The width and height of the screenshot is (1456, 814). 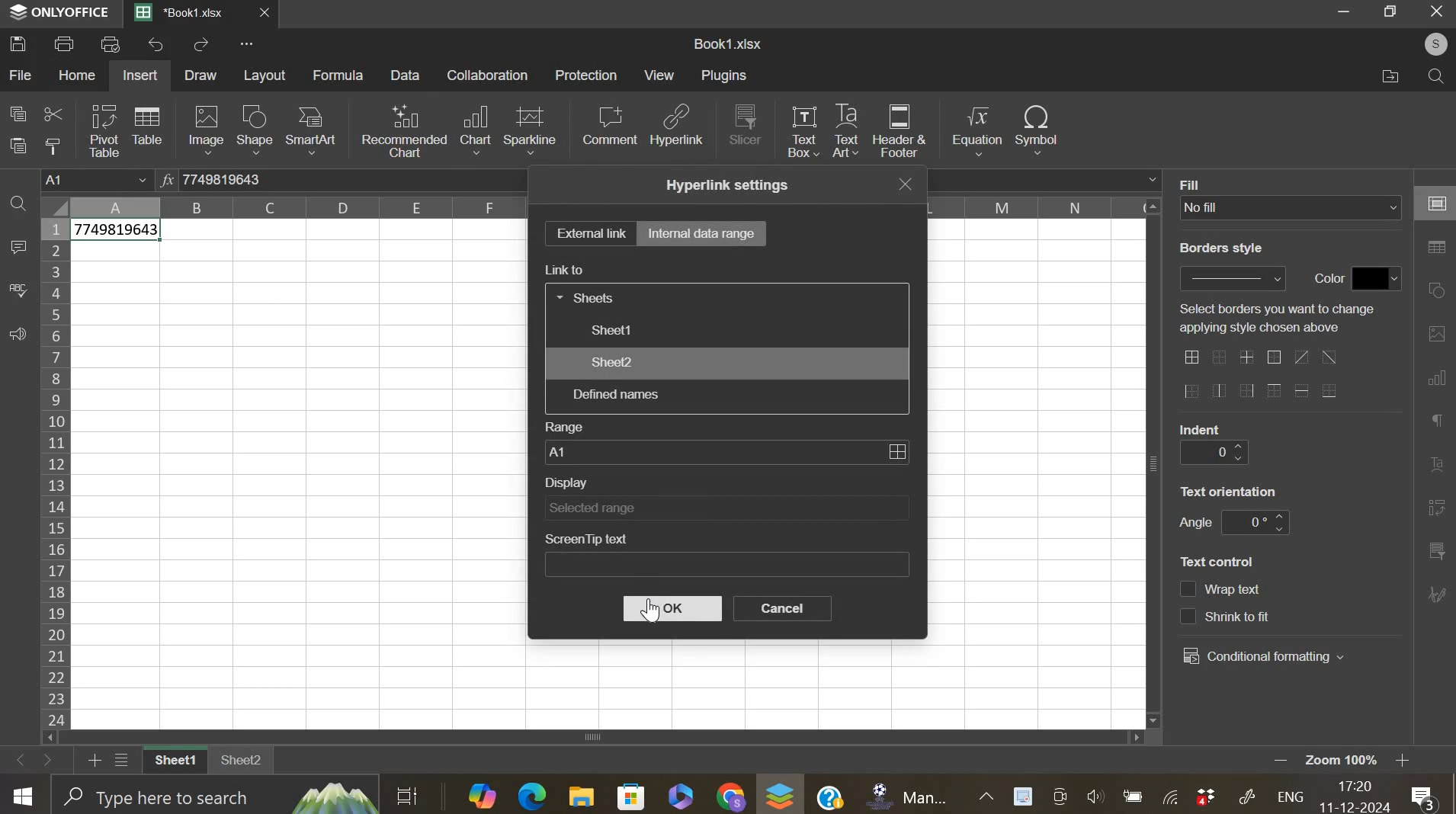 What do you see at coordinates (201, 46) in the screenshot?
I see `redo` at bounding box center [201, 46].